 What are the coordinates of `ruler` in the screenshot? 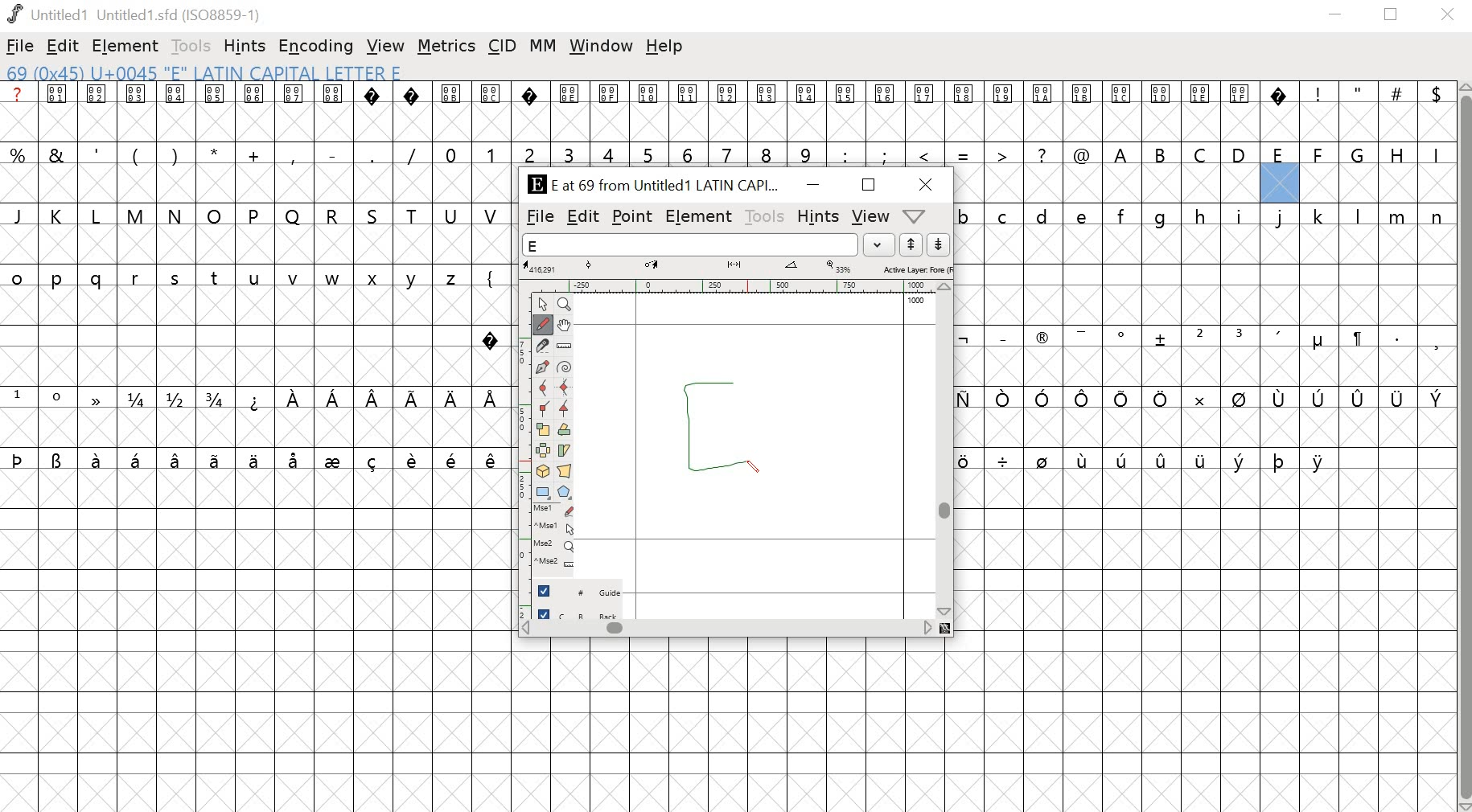 It's located at (519, 453).